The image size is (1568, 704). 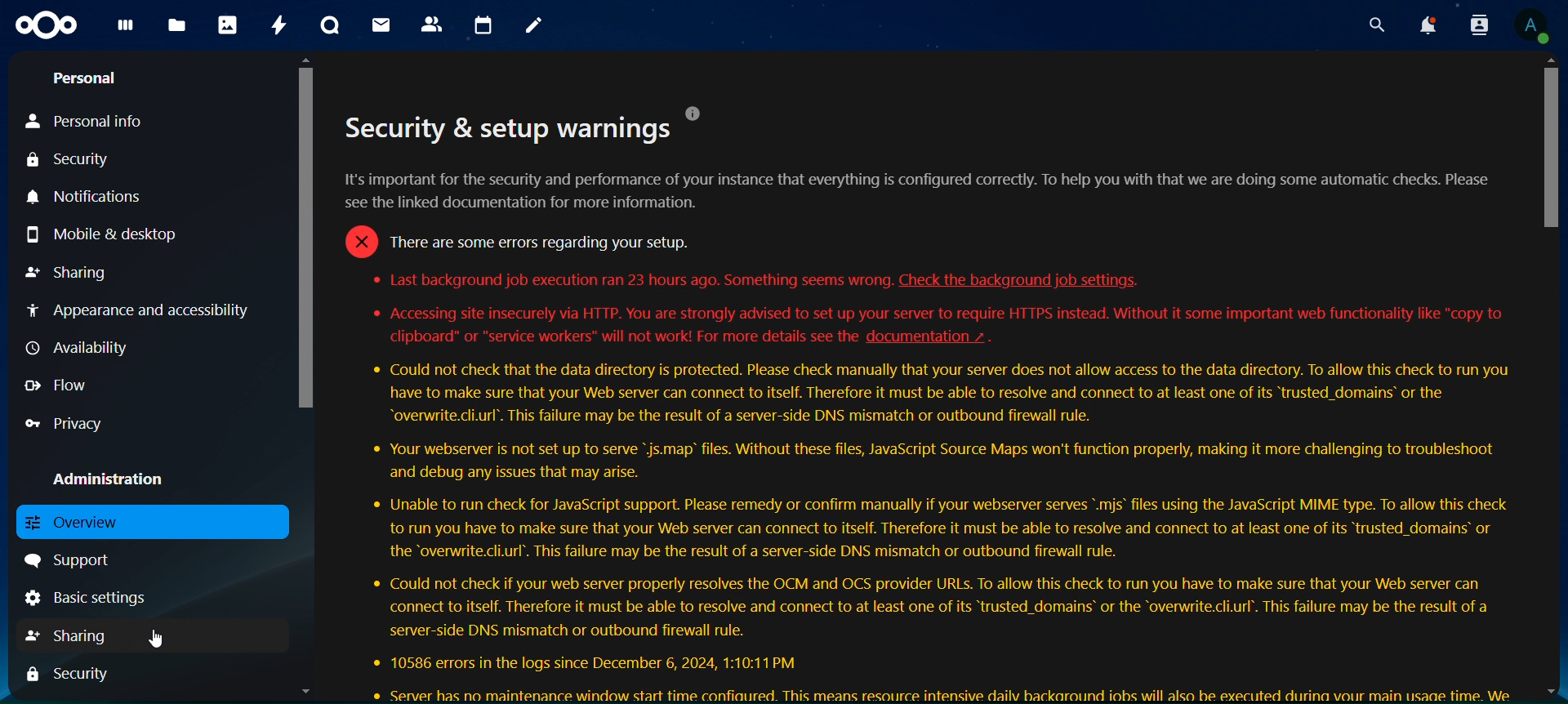 What do you see at coordinates (99, 198) in the screenshot?
I see `notifications` at bounding box center [99, 198].